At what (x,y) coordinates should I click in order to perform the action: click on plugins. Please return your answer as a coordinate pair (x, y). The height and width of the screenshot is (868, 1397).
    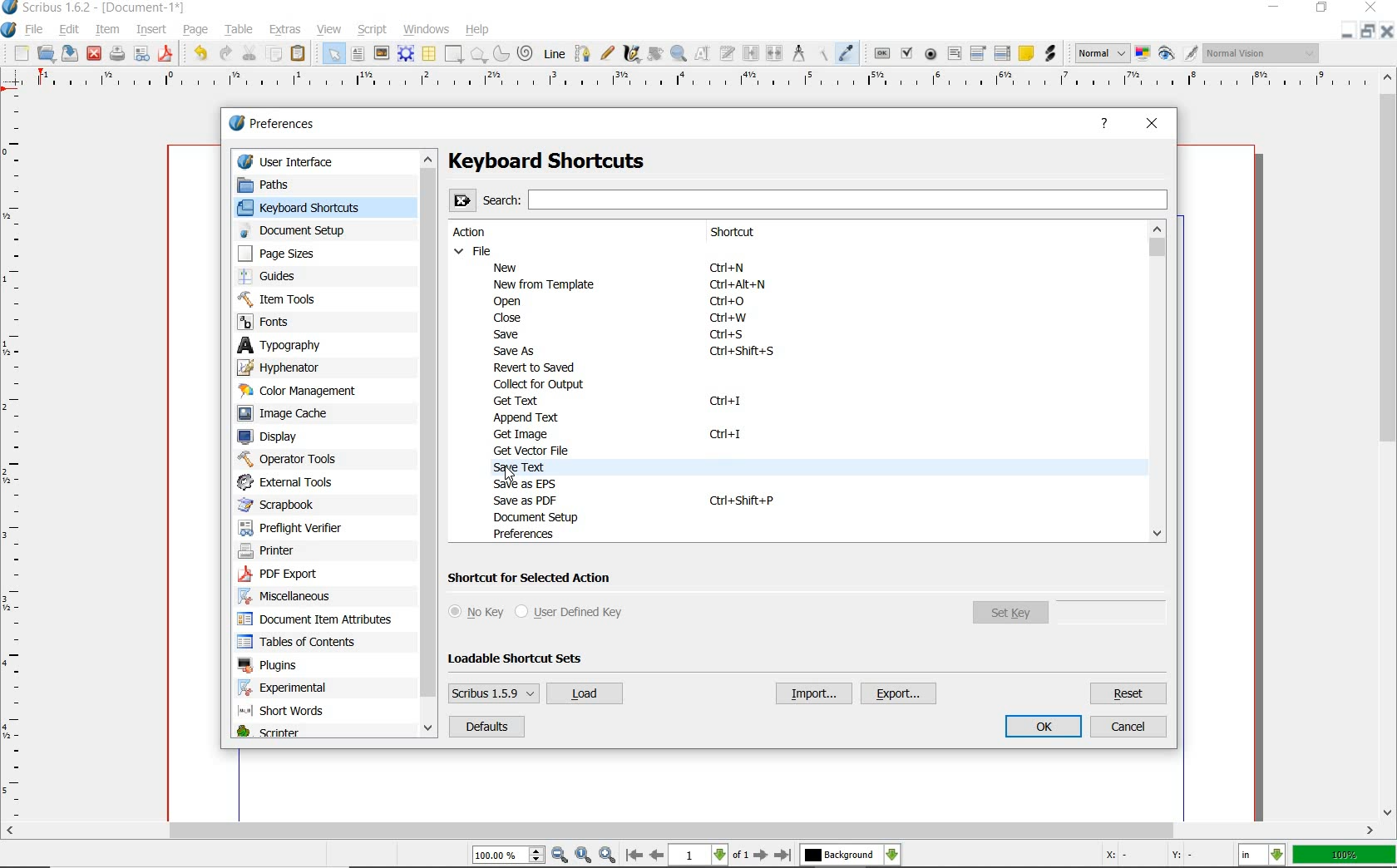
    Looking at the image, I should click on (270, 666).